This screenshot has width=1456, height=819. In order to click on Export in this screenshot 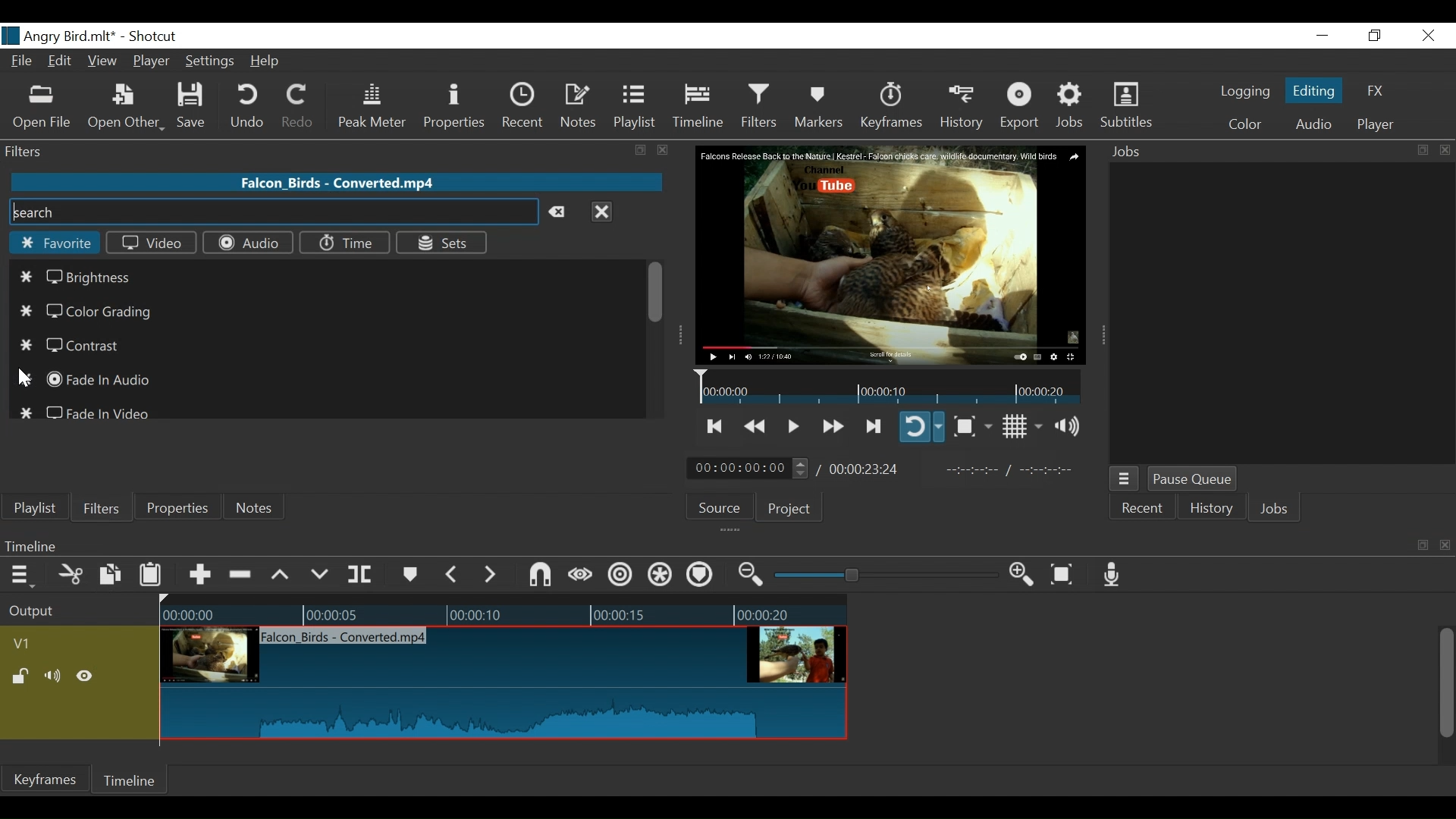, I will do `click(1020, 107)`.